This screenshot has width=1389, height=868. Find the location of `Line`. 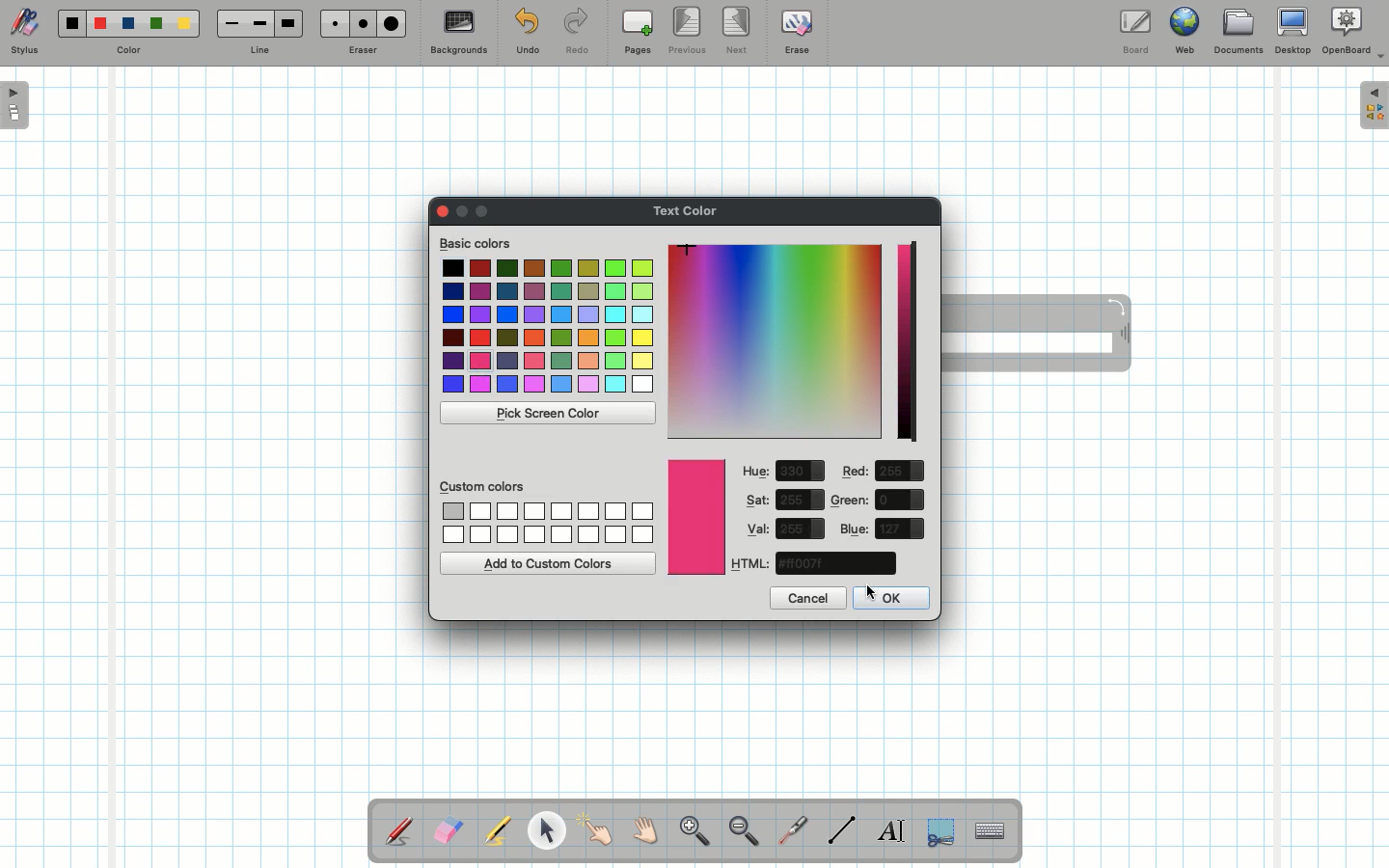

Line is located at coordinates (259, 51).